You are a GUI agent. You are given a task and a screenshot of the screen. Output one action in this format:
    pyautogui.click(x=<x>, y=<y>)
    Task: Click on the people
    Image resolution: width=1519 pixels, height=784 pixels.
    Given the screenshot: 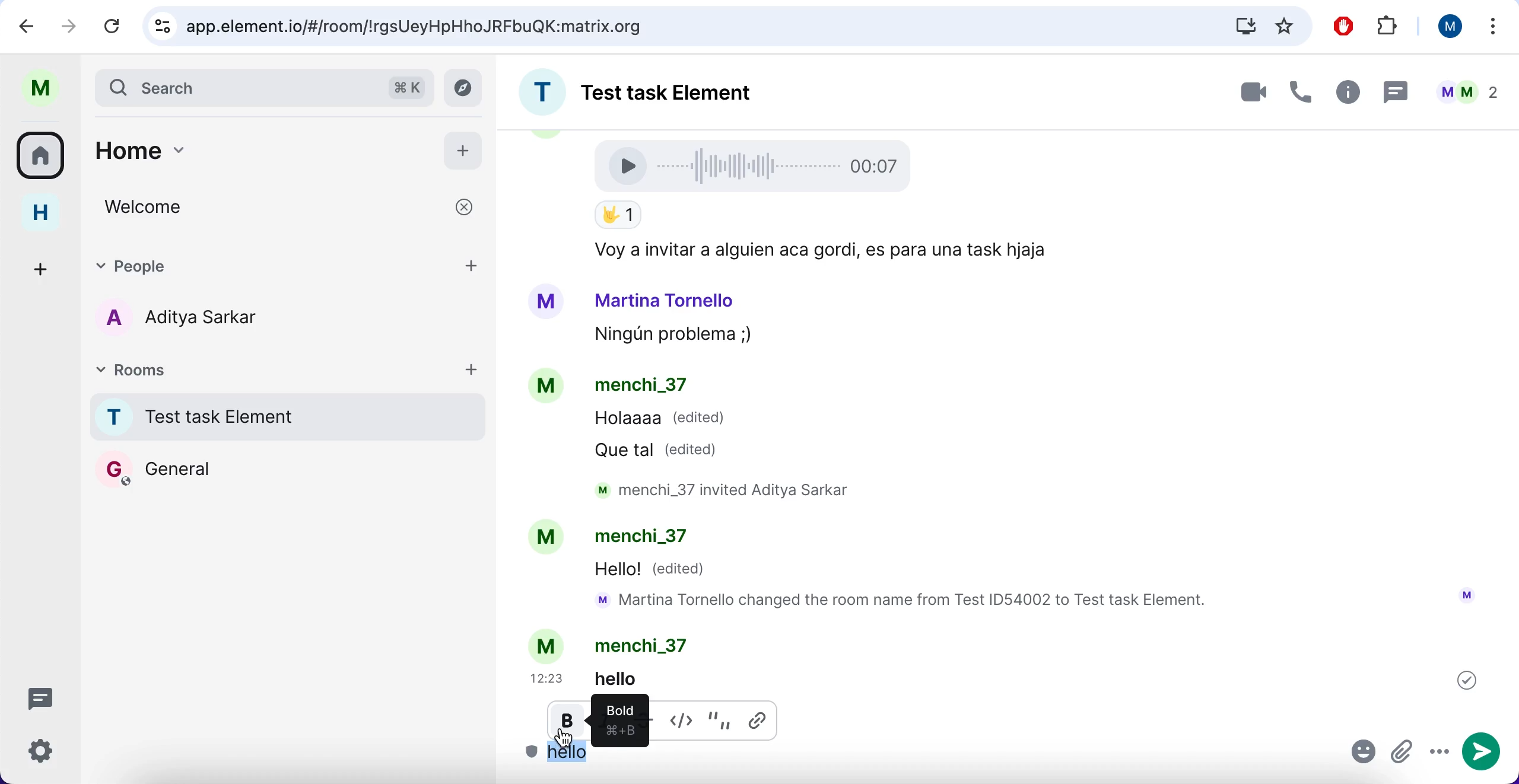 What is the action you would take?
    pyautogui.click(x=1467, y=92)
    